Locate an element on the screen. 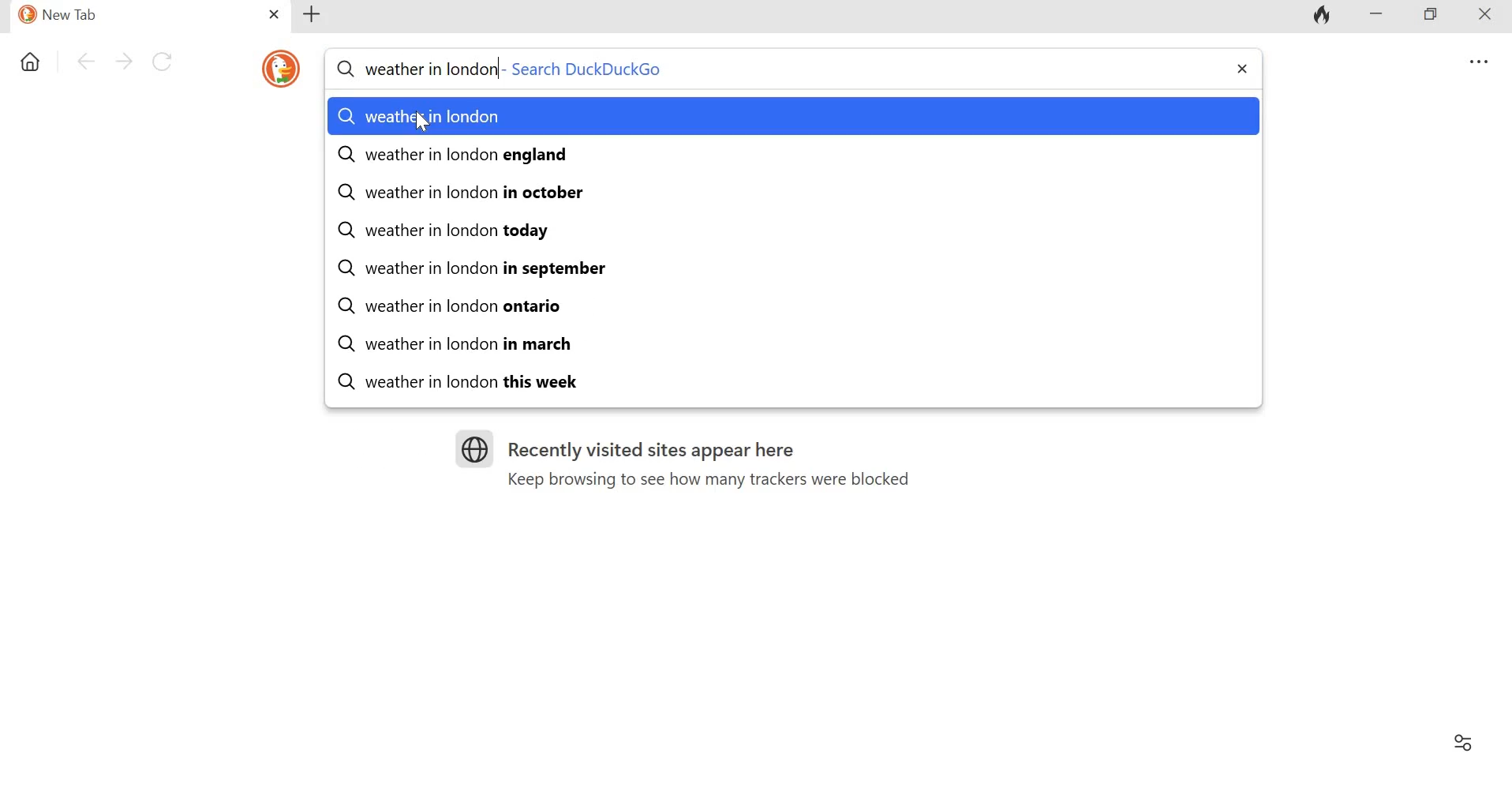 This screenshot has height=791, width=1512. Add new tab is located at coordinates (313, 15).